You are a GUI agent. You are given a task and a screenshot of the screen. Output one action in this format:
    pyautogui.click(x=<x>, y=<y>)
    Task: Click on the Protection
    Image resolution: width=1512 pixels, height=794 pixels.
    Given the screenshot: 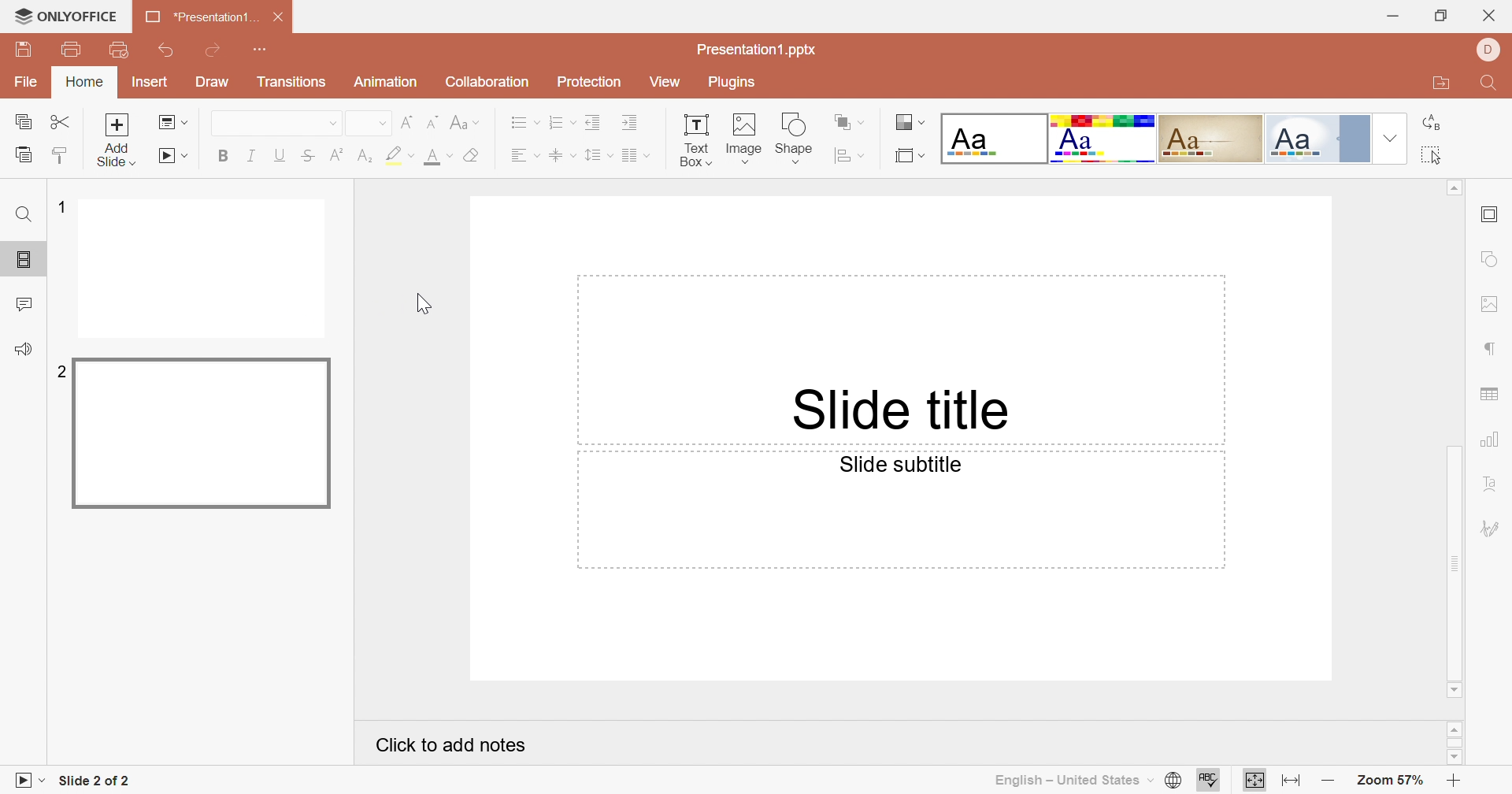 What is the action you would take?
    pyautogui.click(x=591, y=83)
    